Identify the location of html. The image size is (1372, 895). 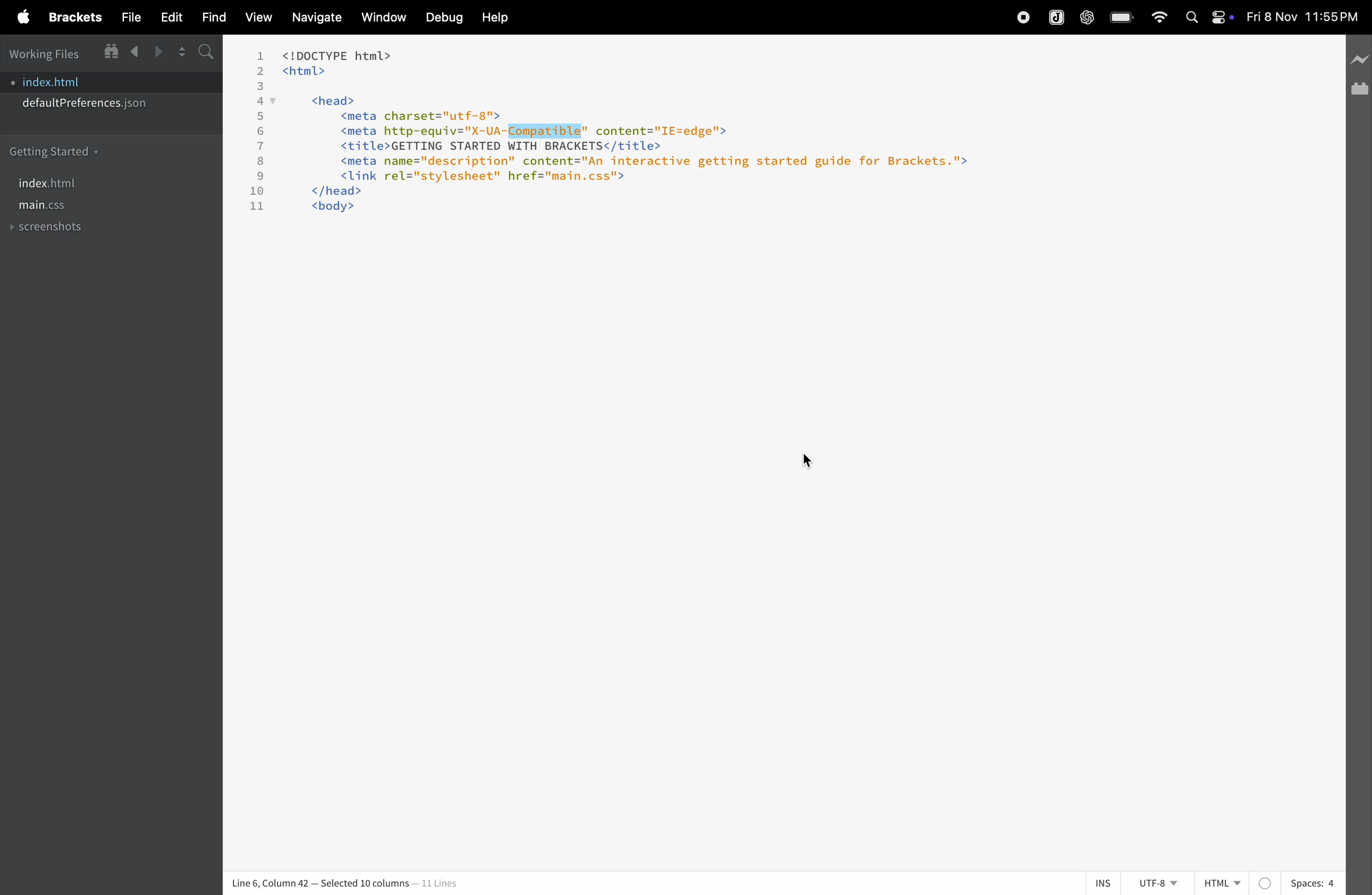
(1223, 878).